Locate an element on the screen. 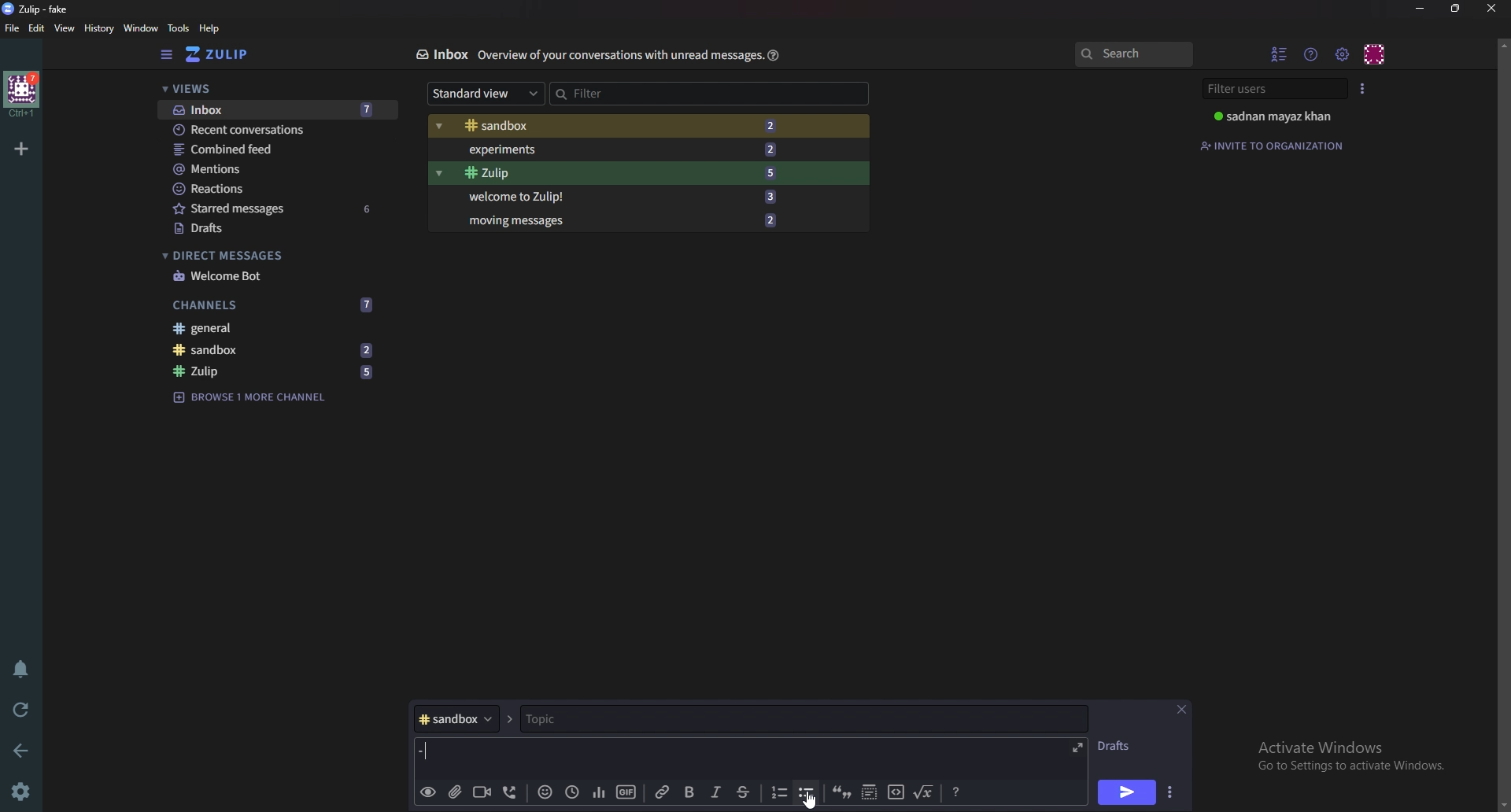  View is located at coordinates (65, 29).